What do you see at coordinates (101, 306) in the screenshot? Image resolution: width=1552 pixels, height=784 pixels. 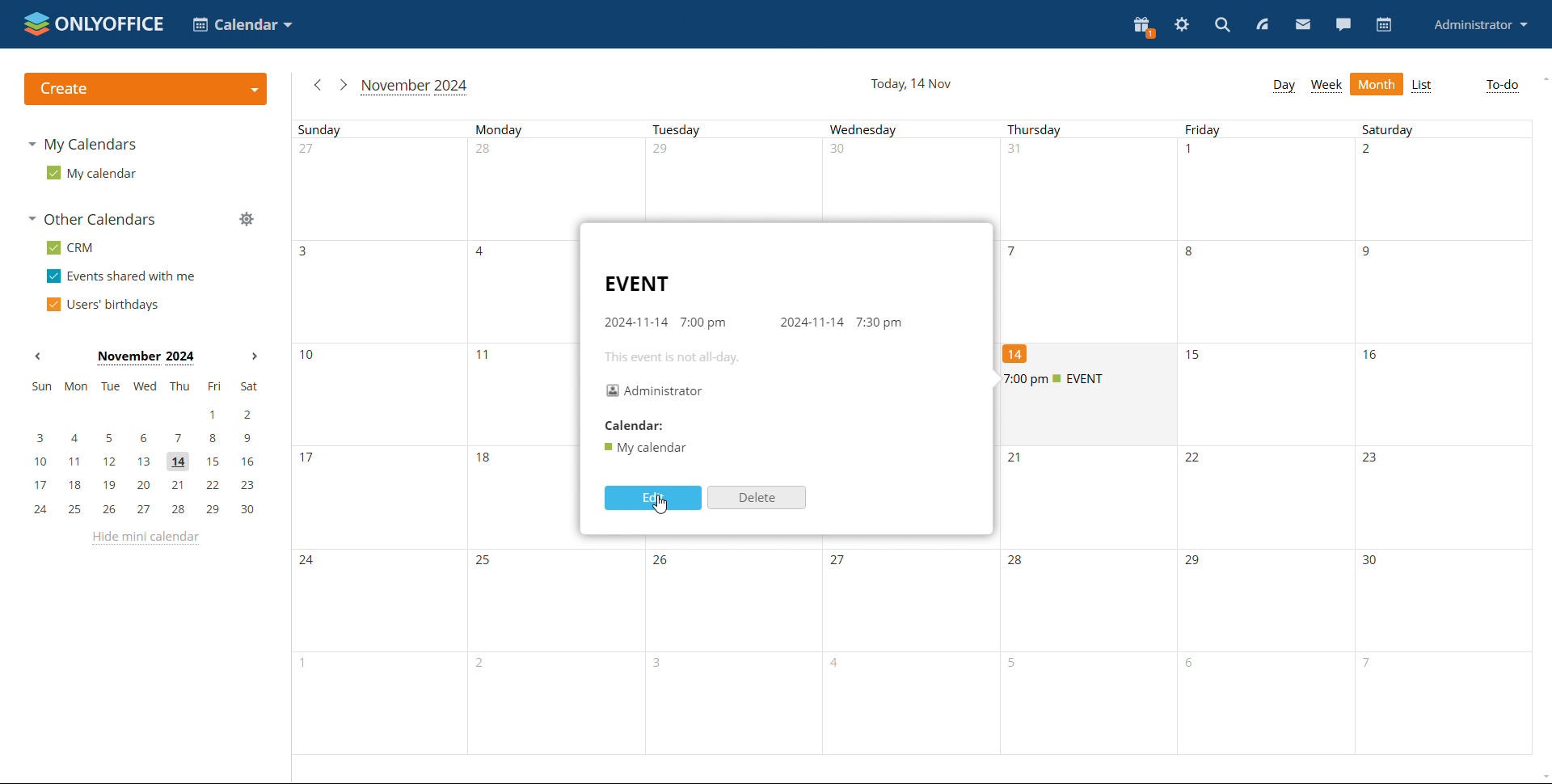 I see `users' birthdays` at bounding box center [101, 306].